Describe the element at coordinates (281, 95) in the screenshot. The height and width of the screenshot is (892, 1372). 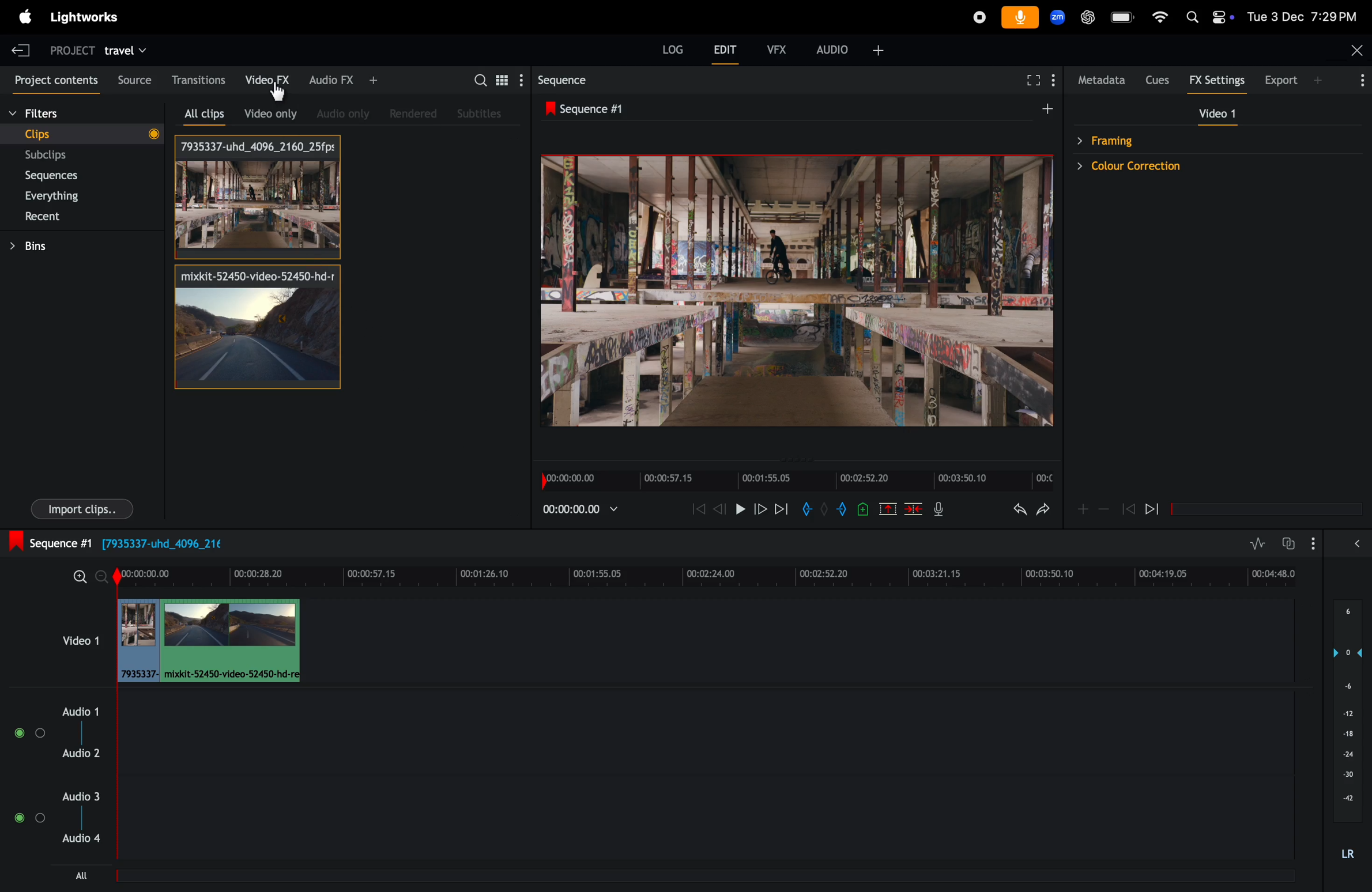
I see `` at that location.